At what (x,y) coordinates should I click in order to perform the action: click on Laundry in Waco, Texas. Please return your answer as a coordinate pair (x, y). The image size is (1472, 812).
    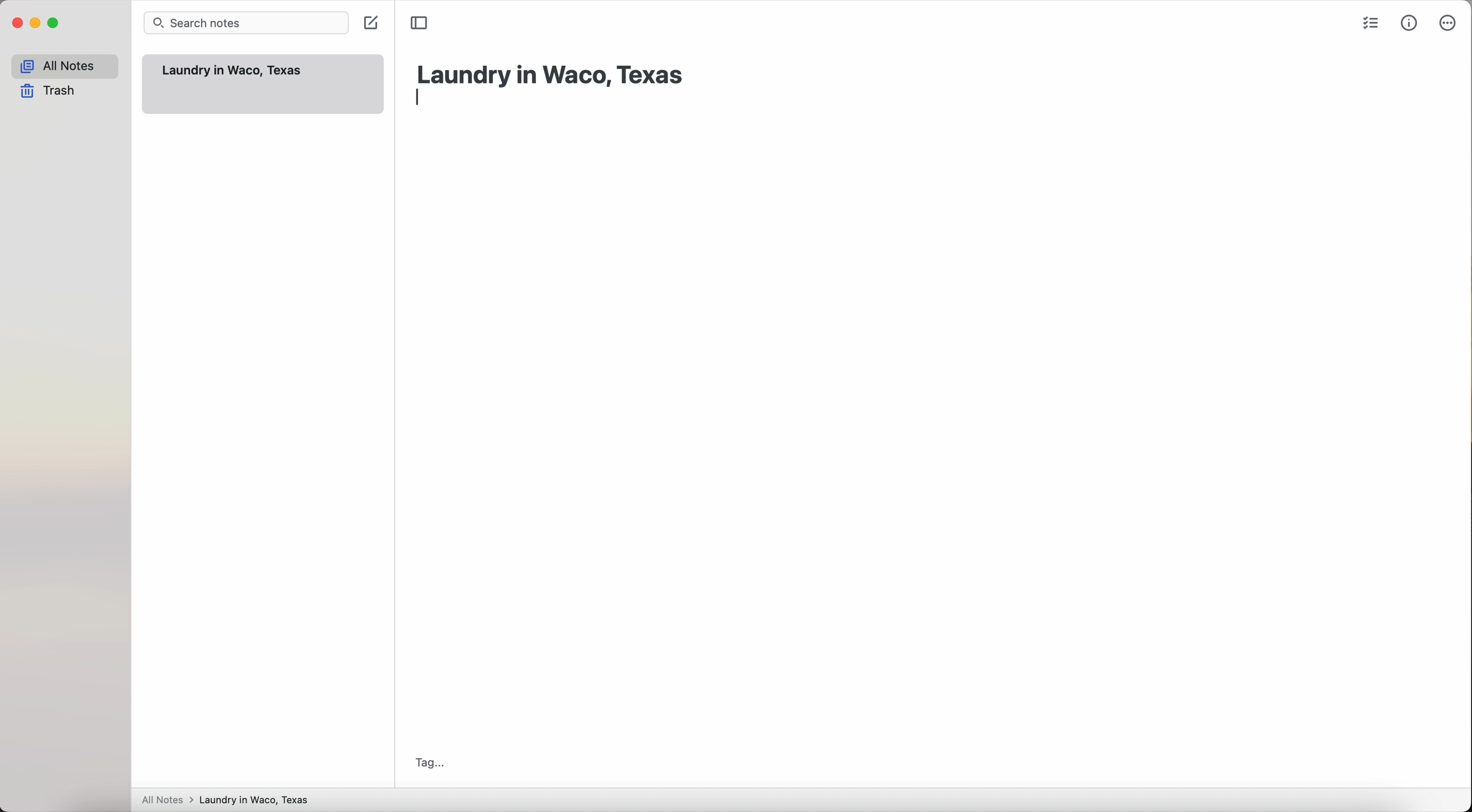
    Looking at the image, I should click on (234, 70).